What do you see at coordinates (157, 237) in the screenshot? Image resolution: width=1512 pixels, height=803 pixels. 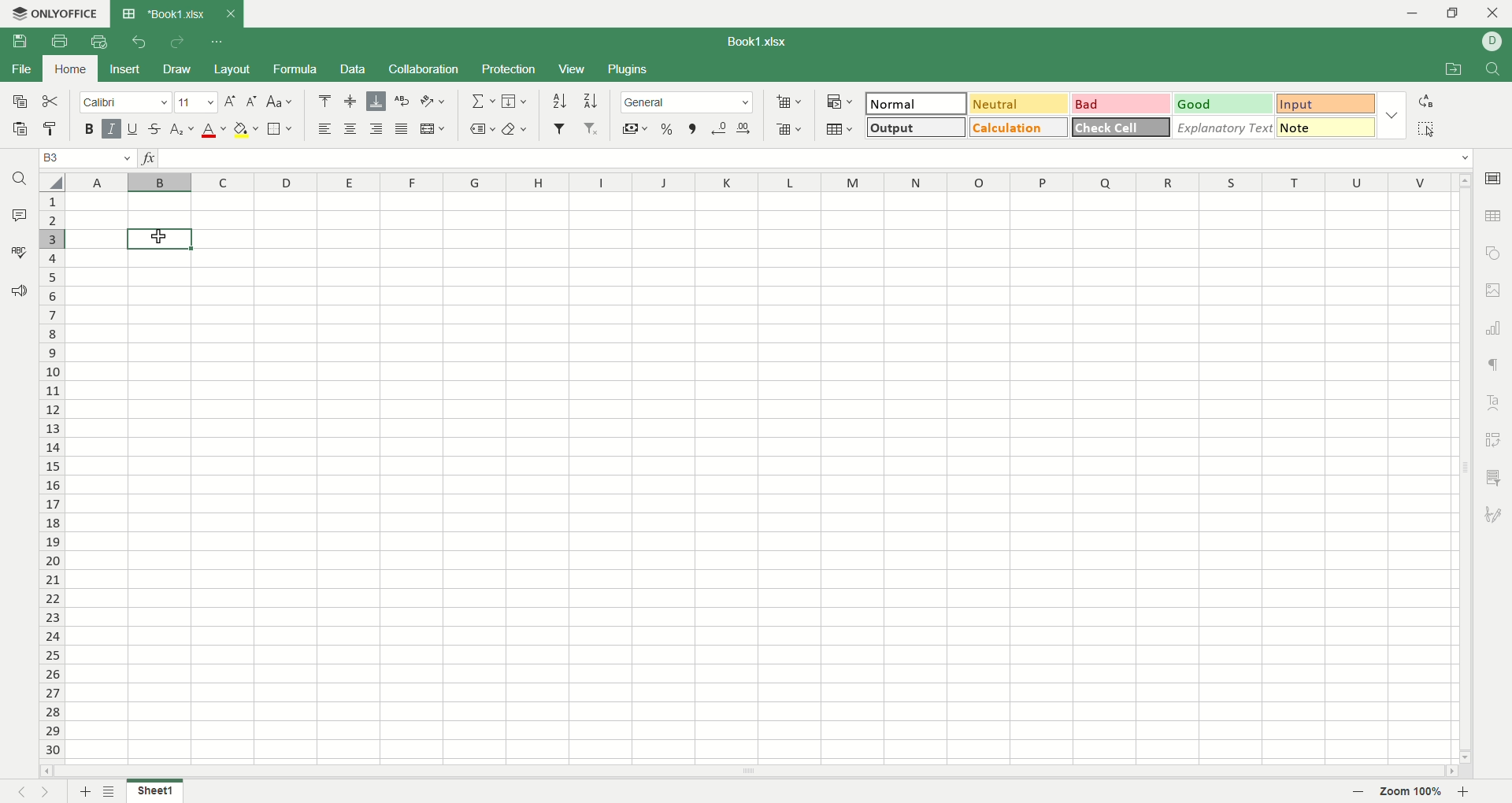 I see `cursor` at bounding box center [157, 237].